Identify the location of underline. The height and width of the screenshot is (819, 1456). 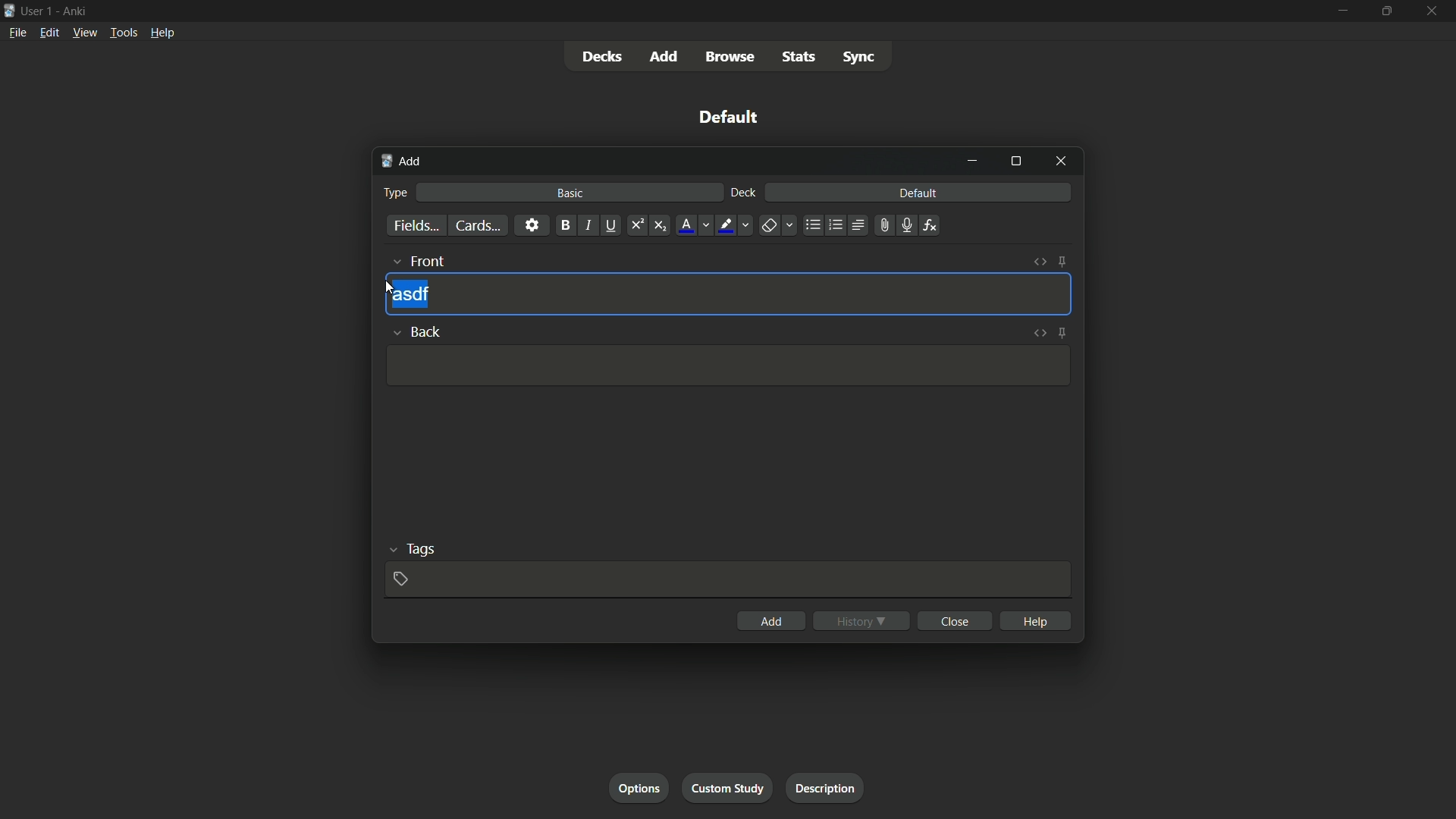
(611, 225).